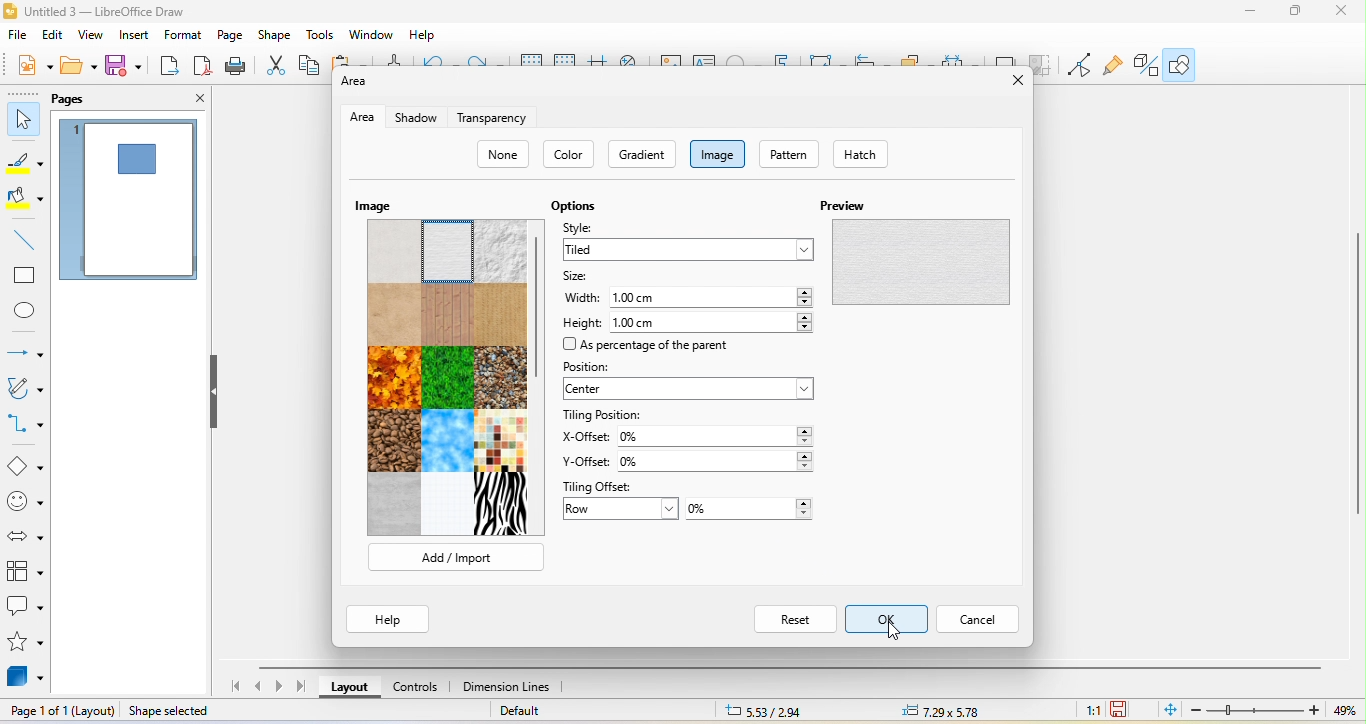 This screenshot has width=1366, height=724. What do you see at coordinates (374, 37) in the screenshot?
I see `window` at bounding box center [374, 37].